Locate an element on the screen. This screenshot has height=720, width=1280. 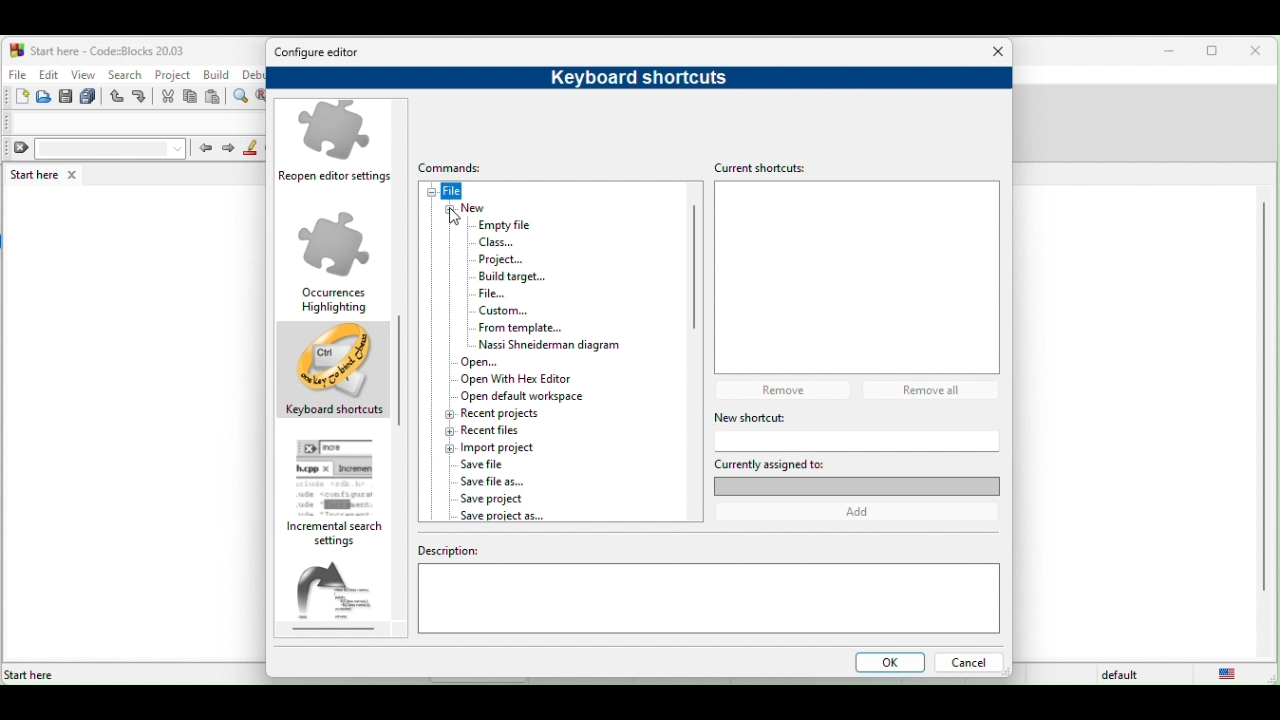
new shortcut is located at coordinates (824, 417).